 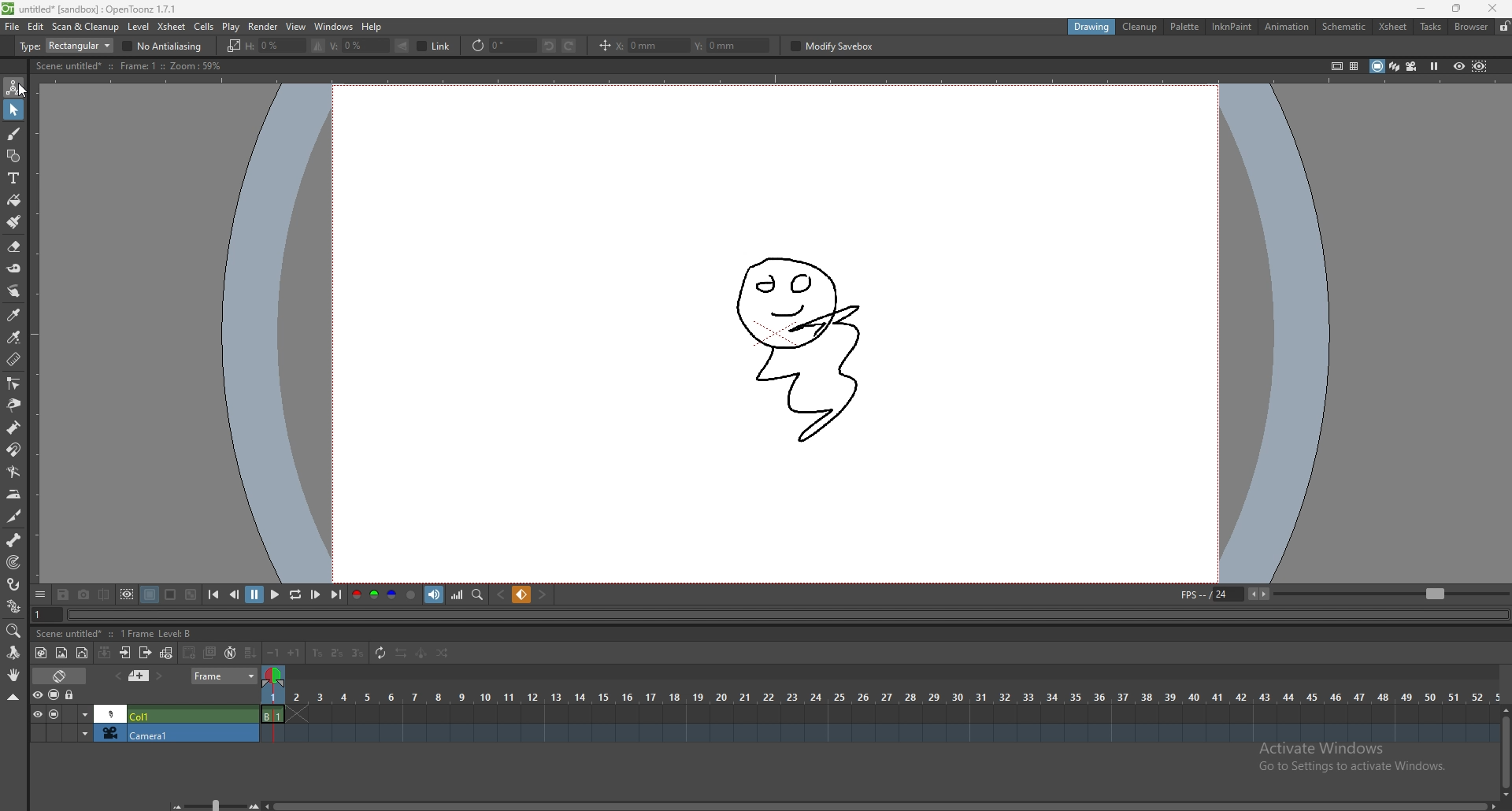 What do you see at coordinates (542, 595) in the screenshot?
I see `next key` at bounding box center [542, 595].